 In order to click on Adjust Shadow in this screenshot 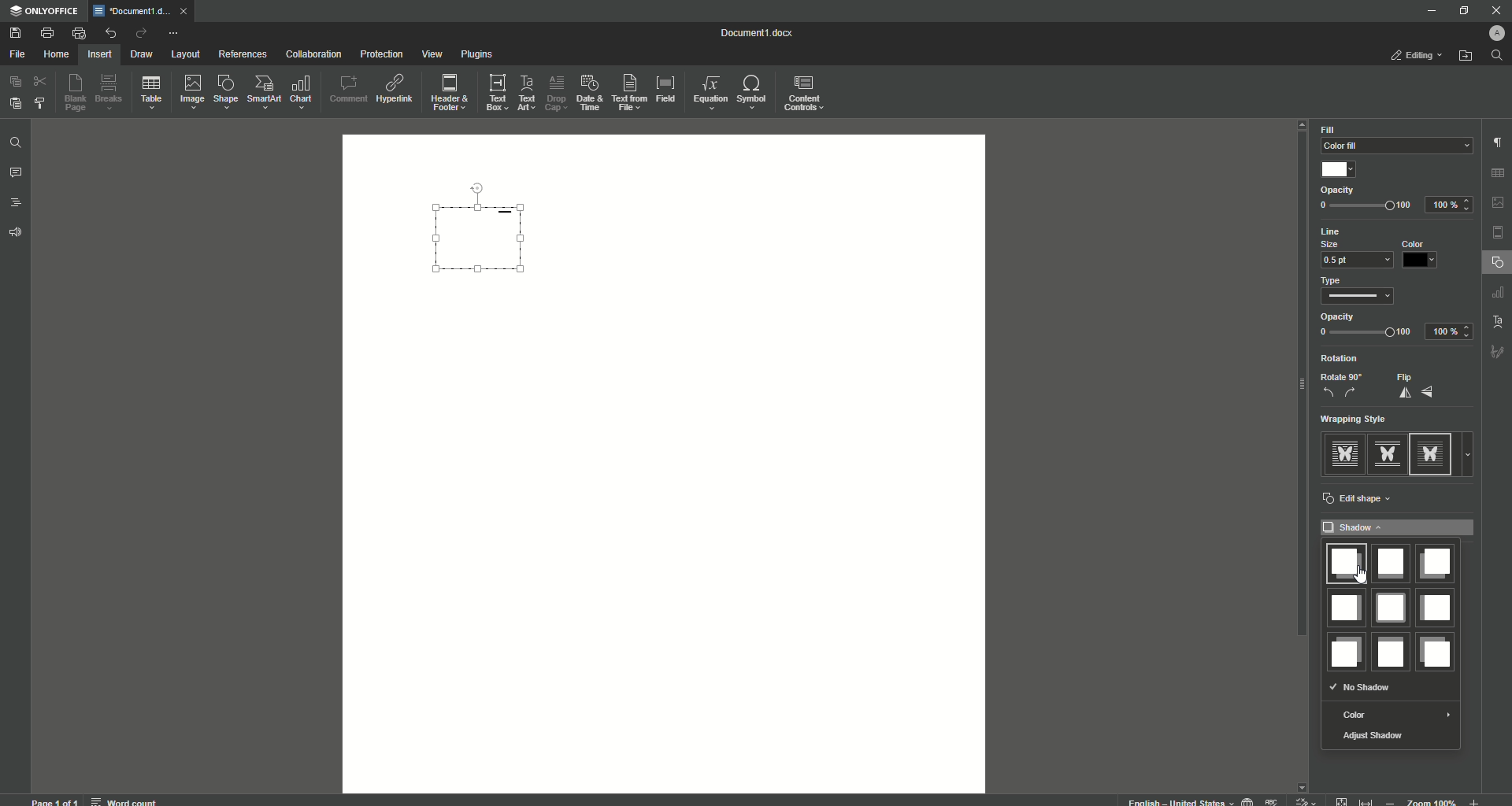, I will do `click(1375, 737)`.